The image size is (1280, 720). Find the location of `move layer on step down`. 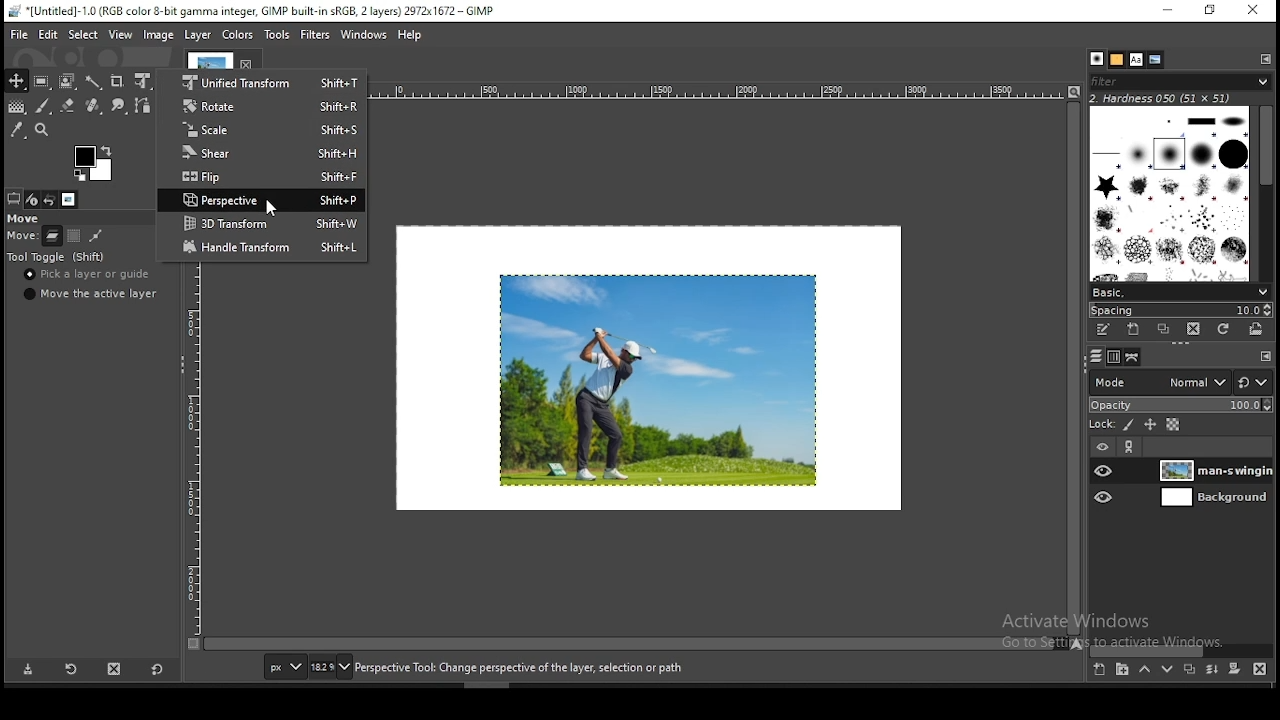

move layer on step down is located at coordinates (1165, 670).